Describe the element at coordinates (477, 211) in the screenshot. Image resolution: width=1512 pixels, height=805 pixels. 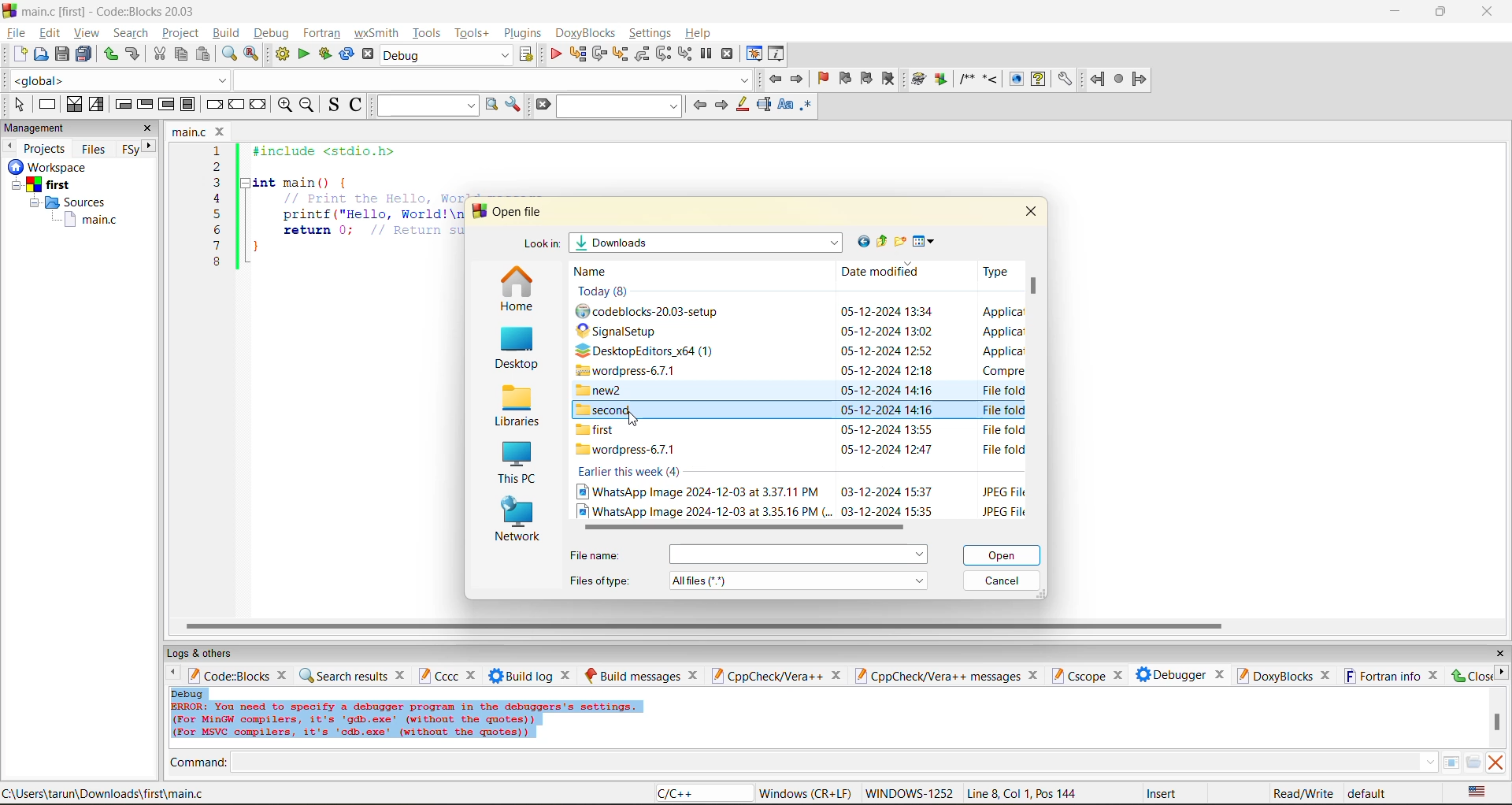
I see `logo` at that location.